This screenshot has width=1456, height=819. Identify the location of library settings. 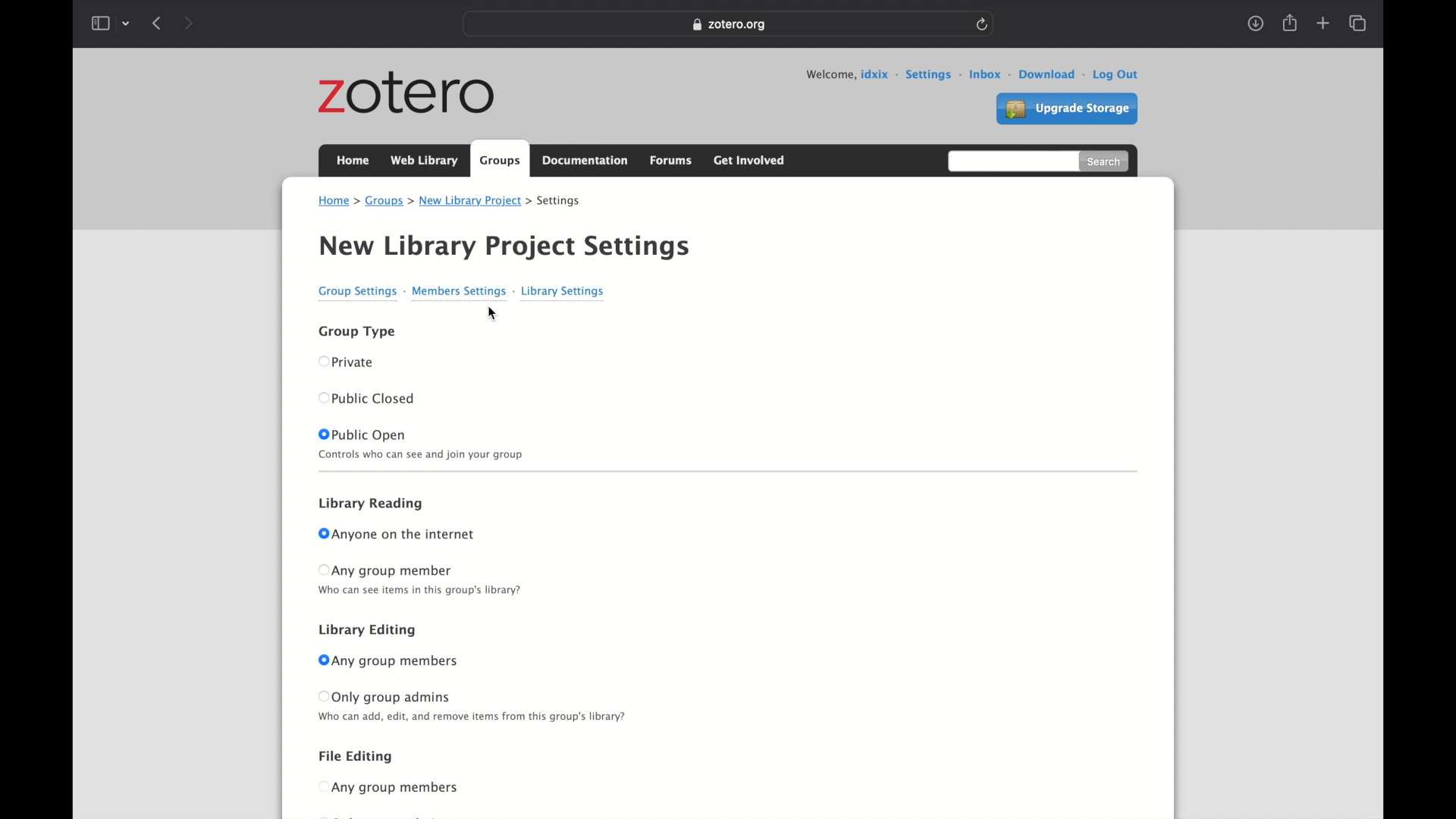
(563, 290).